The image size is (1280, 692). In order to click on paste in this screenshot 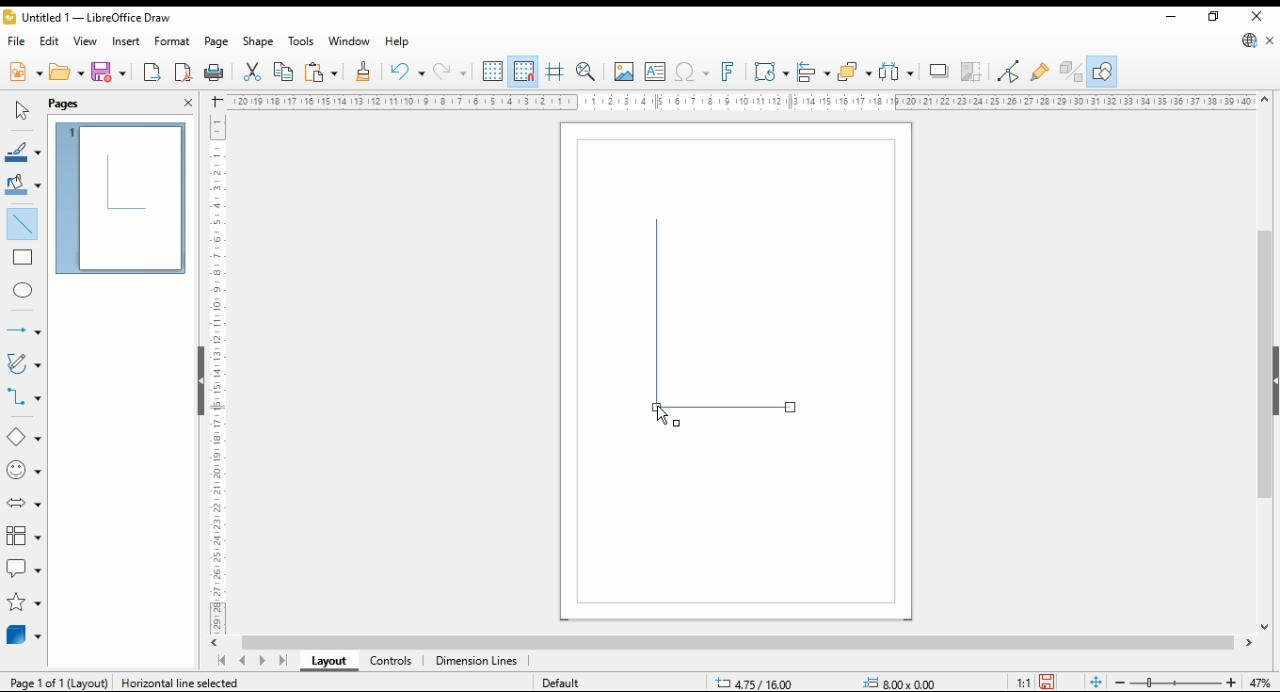, I will do `click(321, 72)`.